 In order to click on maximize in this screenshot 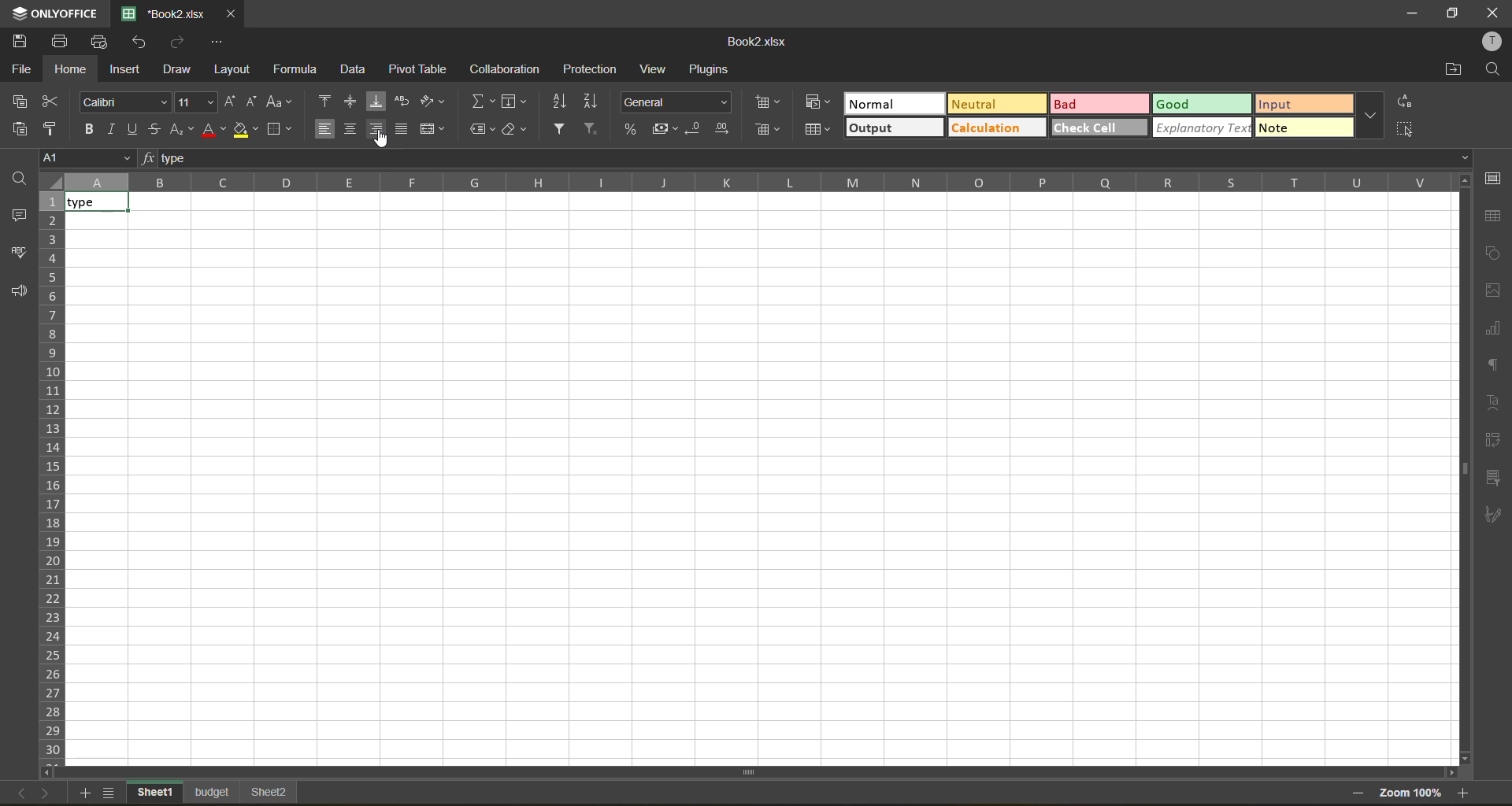, I will do `click(1455, 12)`.